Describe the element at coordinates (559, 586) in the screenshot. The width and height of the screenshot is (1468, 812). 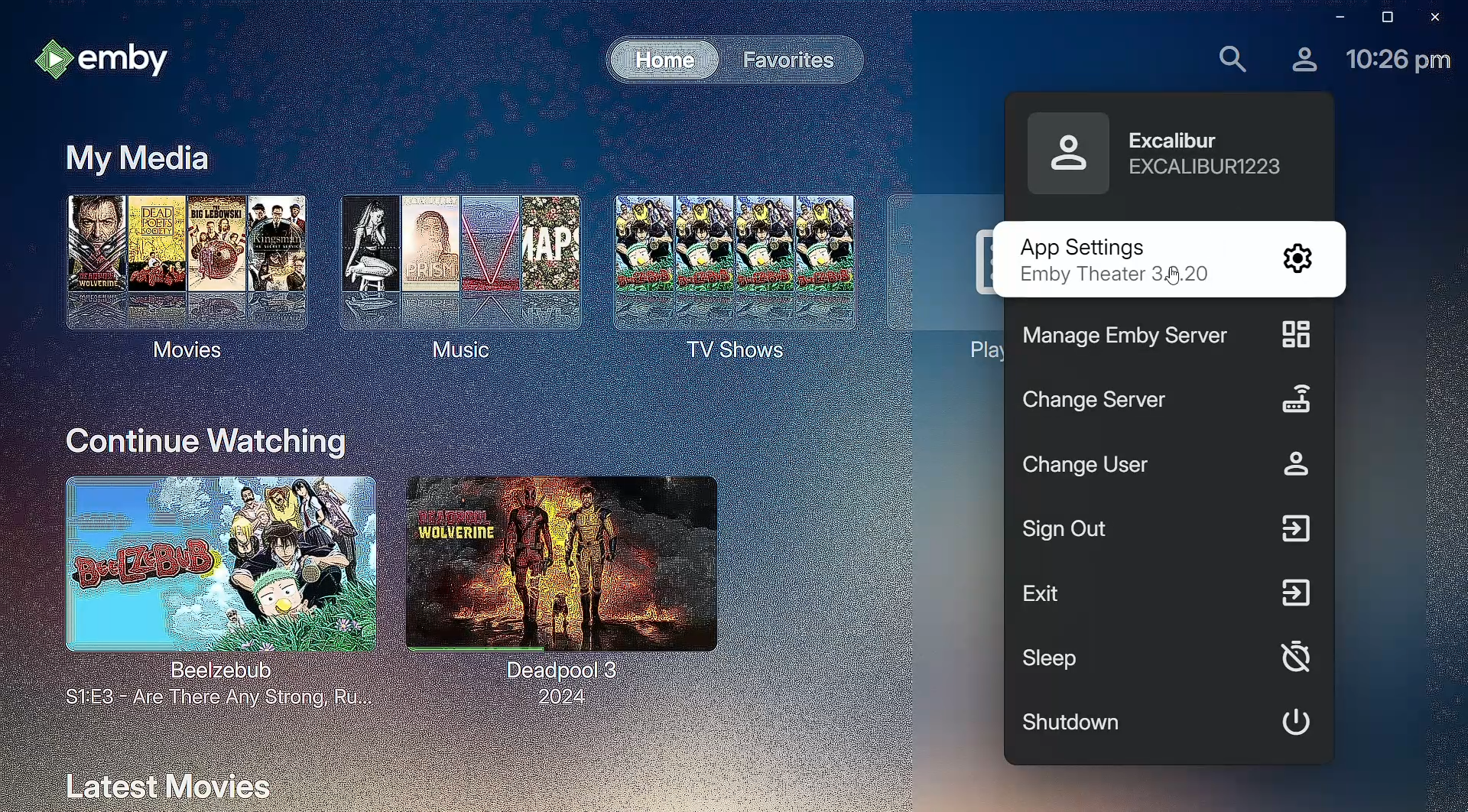
I see `Deadpool 3` at that location.